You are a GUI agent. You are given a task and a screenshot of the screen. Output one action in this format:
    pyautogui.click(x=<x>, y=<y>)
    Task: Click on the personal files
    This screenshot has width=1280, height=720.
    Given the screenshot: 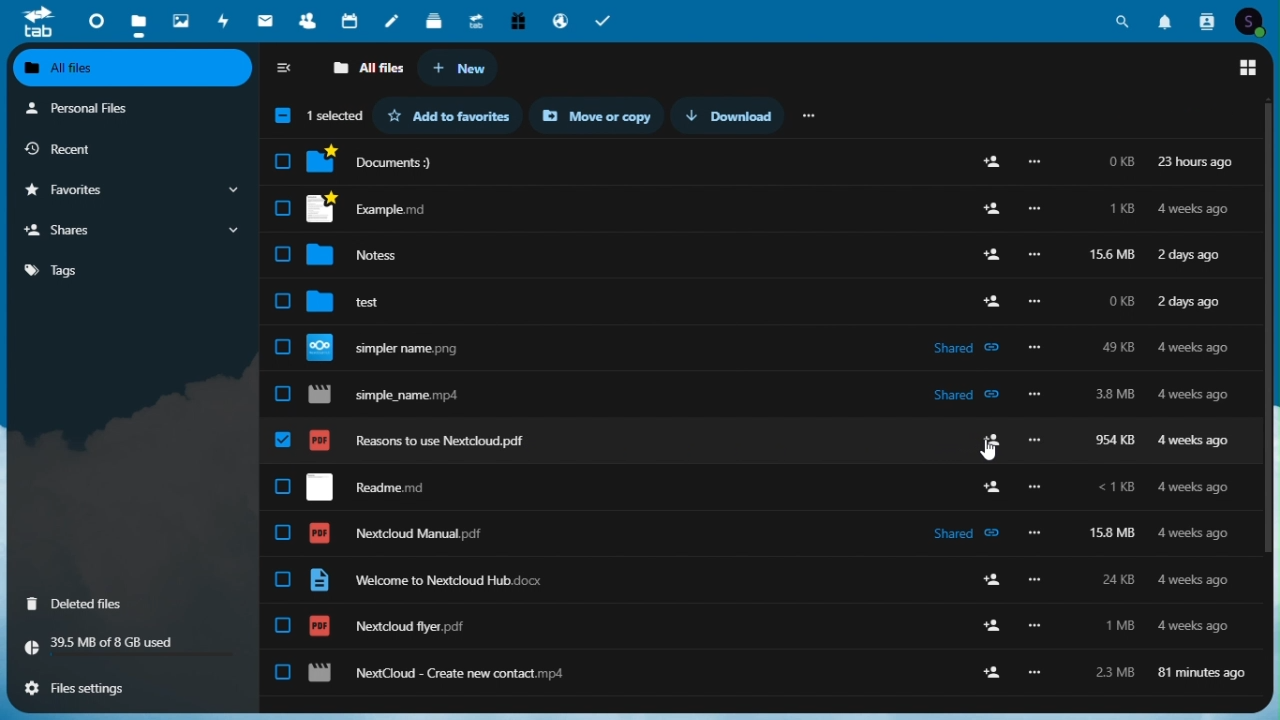 What is the action you would take?
    pyautogui.click(x=127, y=107)
    